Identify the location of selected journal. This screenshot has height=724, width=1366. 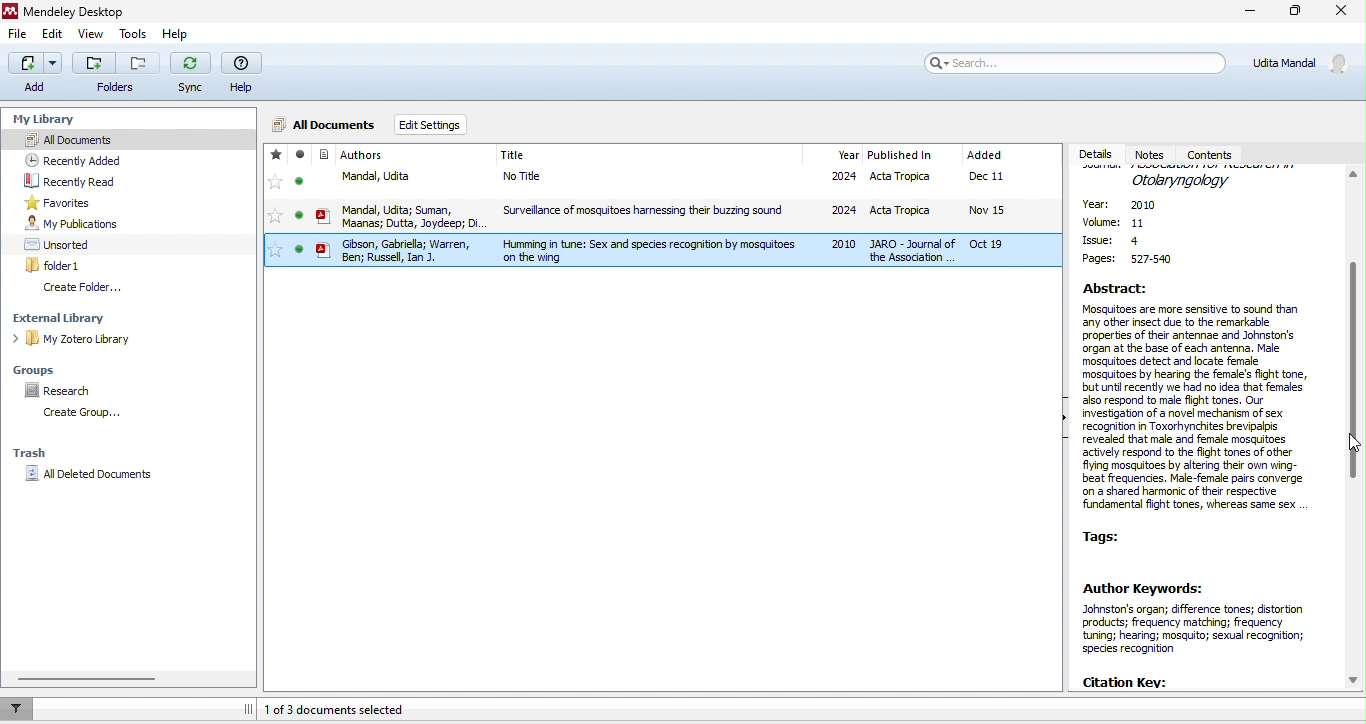
(661, 251).